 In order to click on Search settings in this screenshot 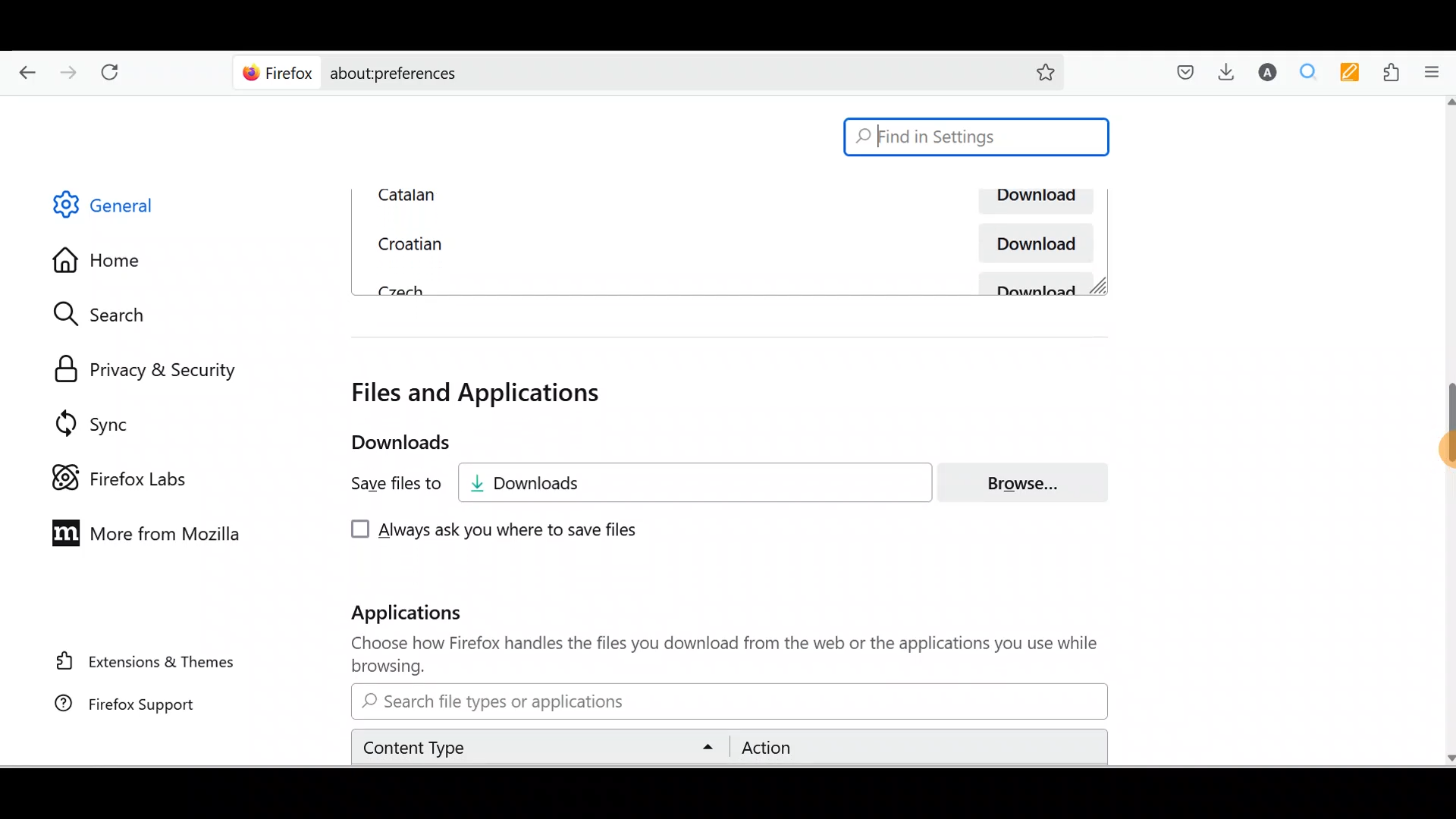, I will do `click(113, 315)`.